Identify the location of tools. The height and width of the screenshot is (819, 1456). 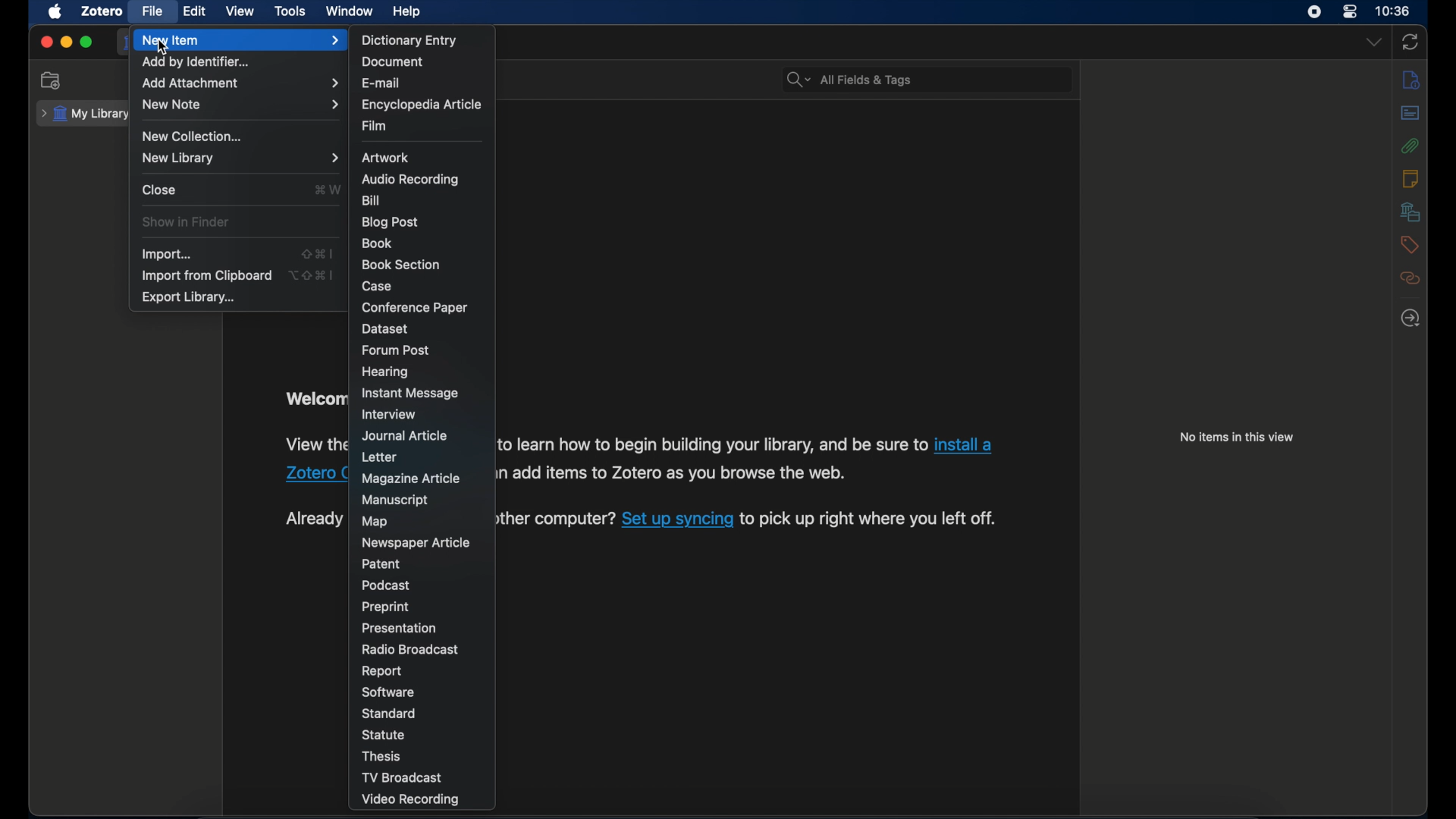
(290, 11).